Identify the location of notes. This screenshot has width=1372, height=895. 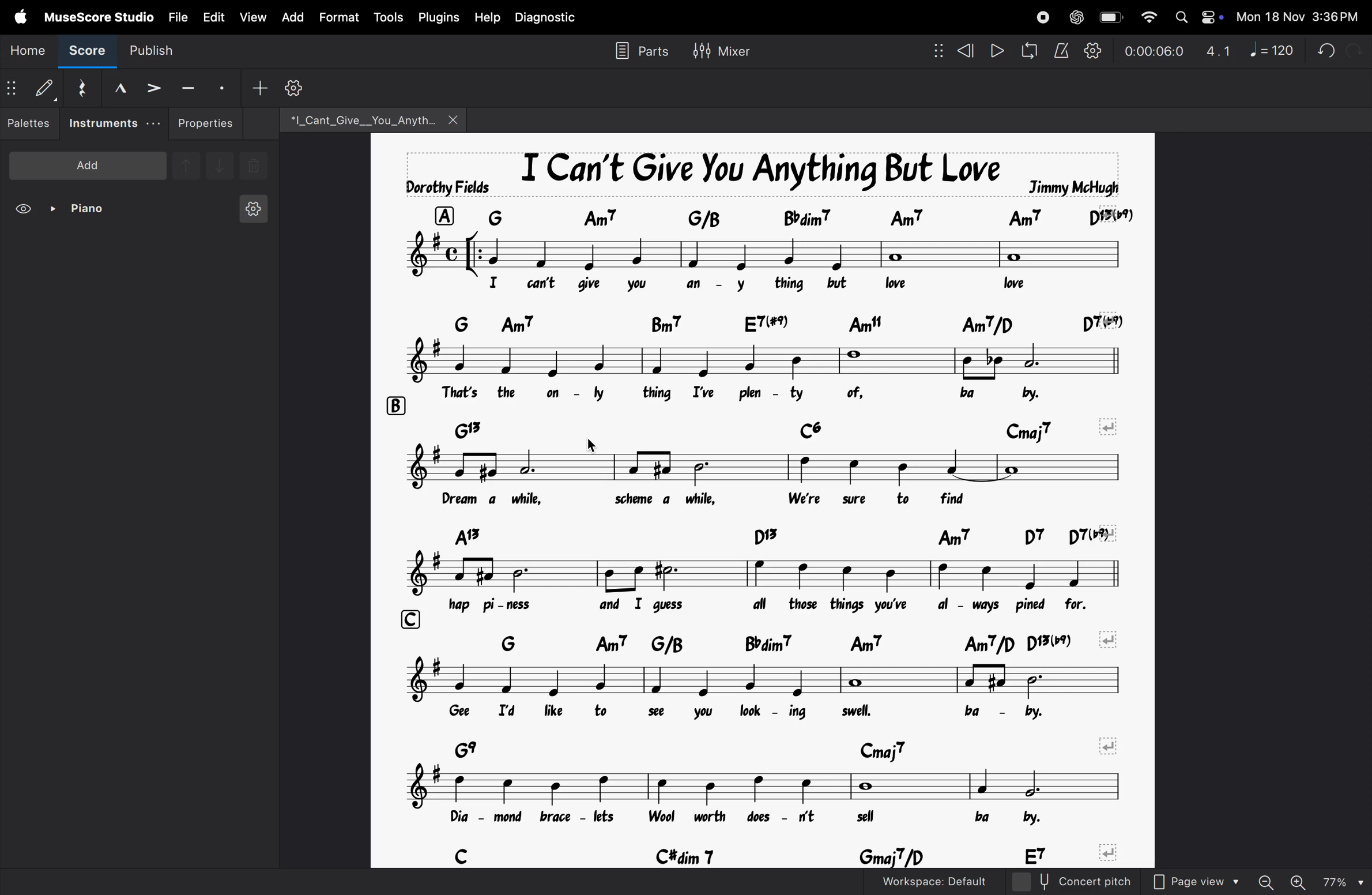
(768, 785).